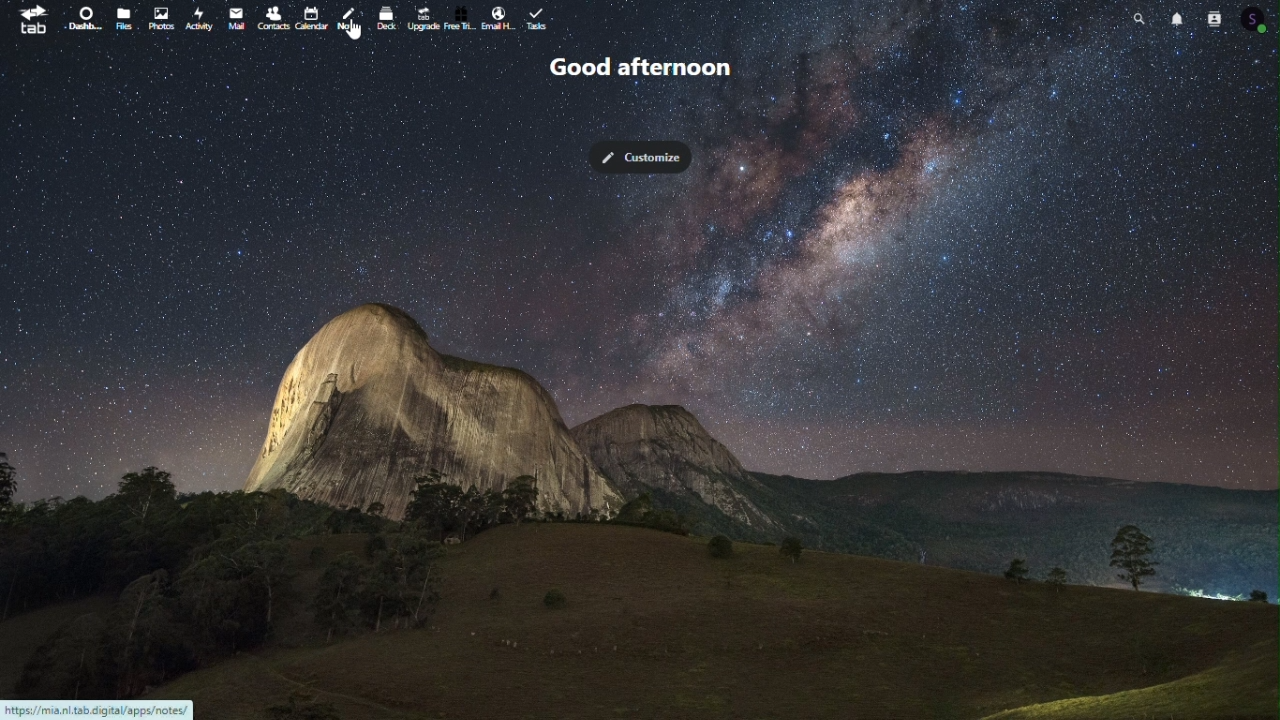 This screenshot has width=1280, height=720. What do you see at coordinates (497, 21) in the screenshot?
I see `Email handling` at bounding box center [497, 21].